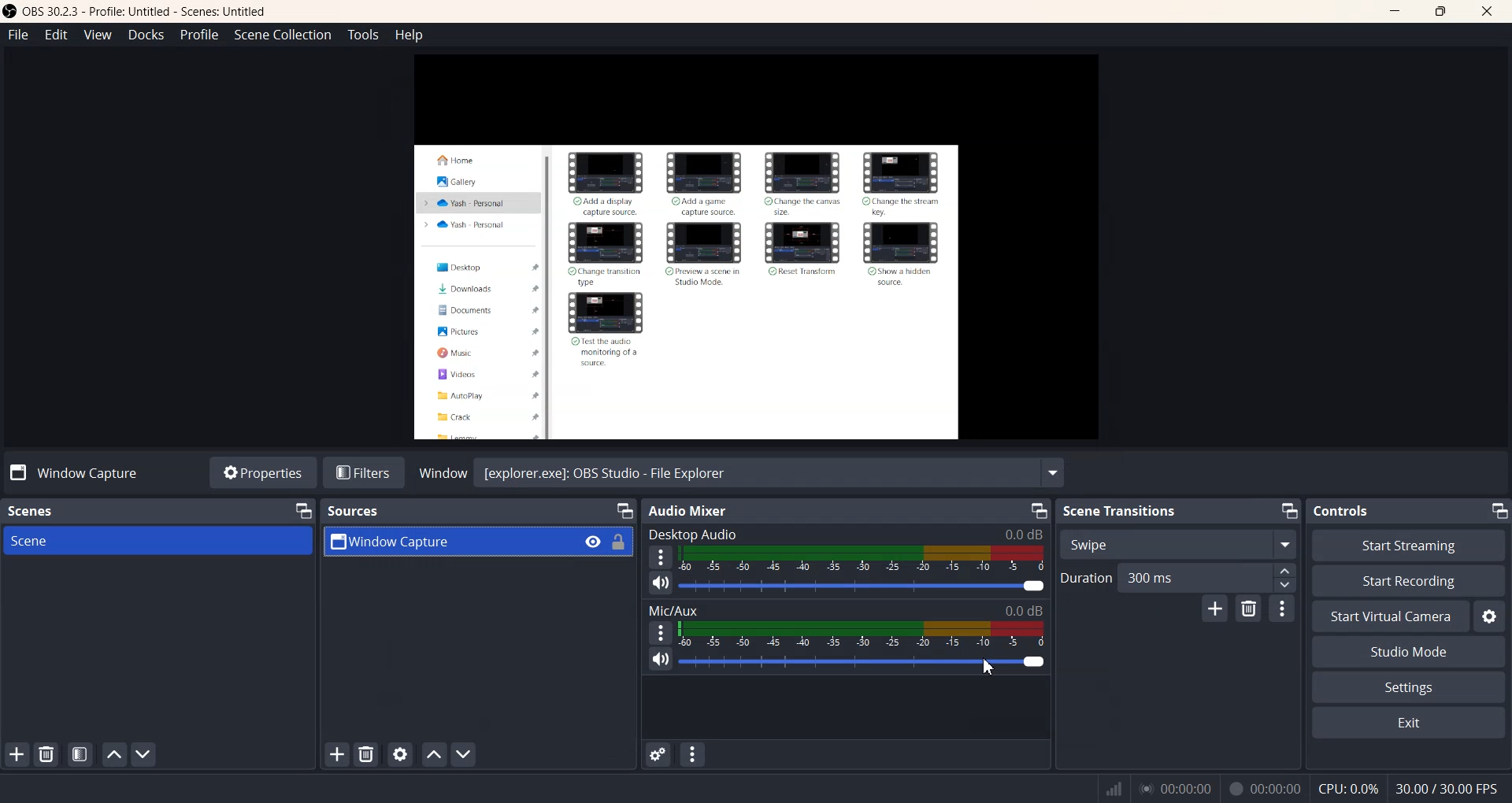 This screenshot has width=1512, height=803. I want to click on Audio mixer menu, so click(692, 754).